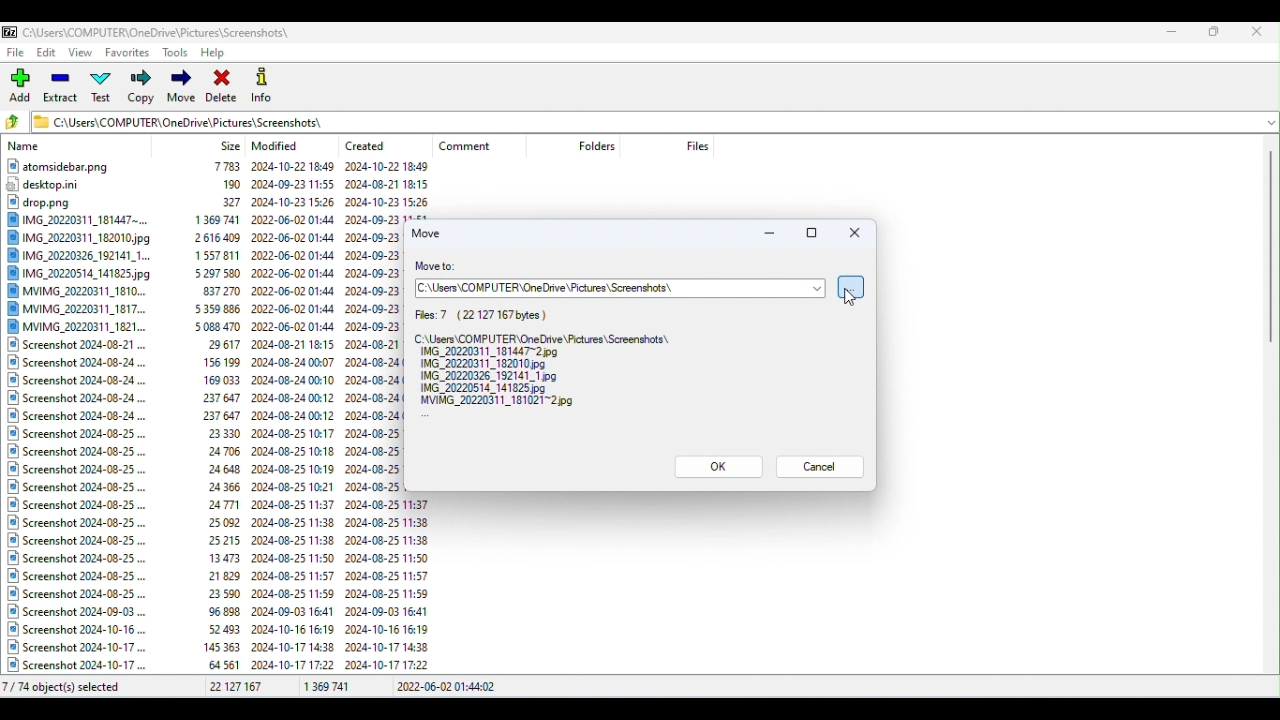 This screenshot has width=1280, height=720. Describe the element at coordinates (27, 147) in the screenshot. I see `Name` at that location.